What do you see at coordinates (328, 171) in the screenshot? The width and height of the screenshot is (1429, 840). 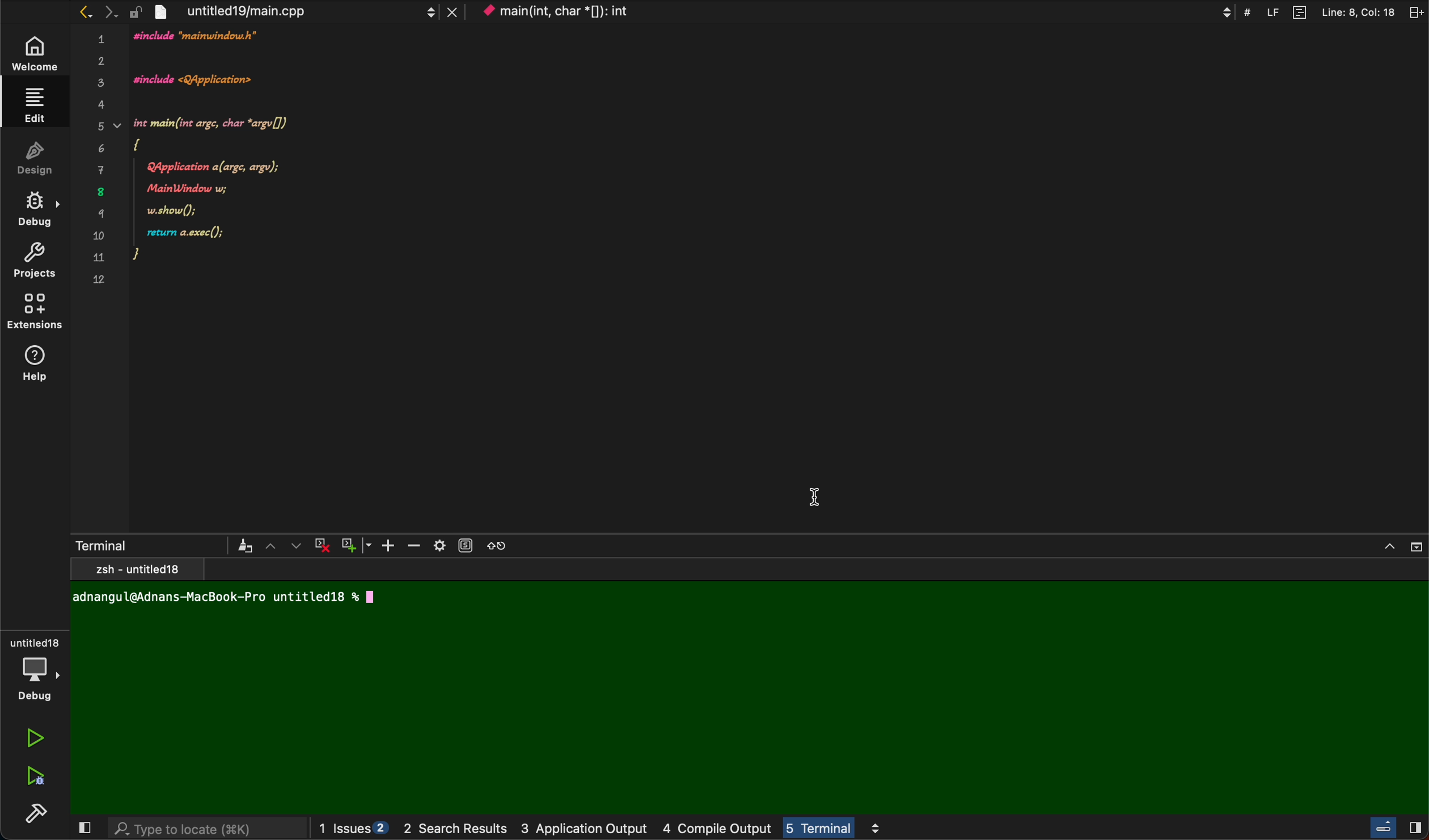 I see `code` at bounding box center [328, 171].